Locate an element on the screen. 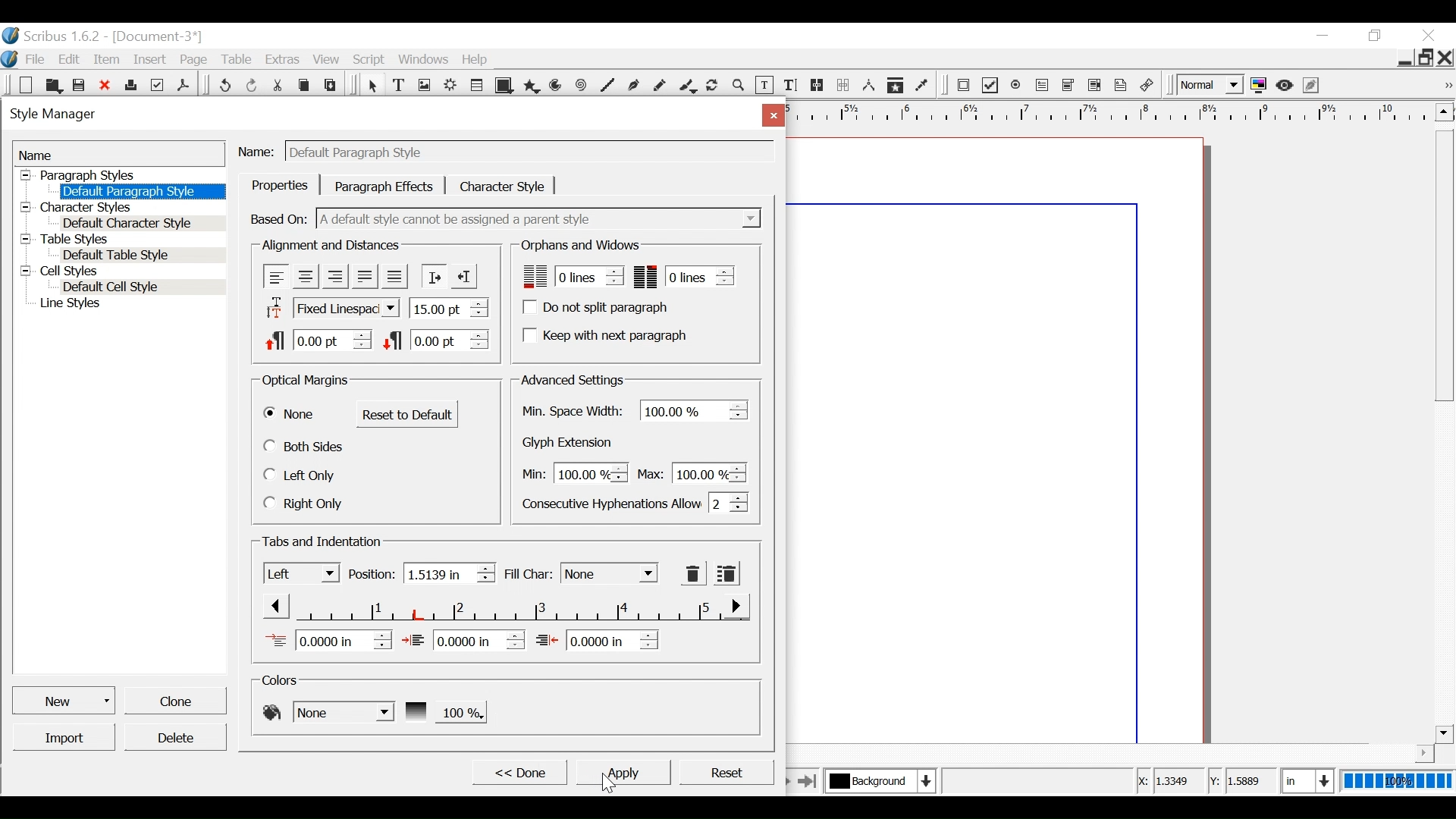 The width and height of the screenshot is (1456, 819). Edit text with Story is located at coordinates (790, 86).